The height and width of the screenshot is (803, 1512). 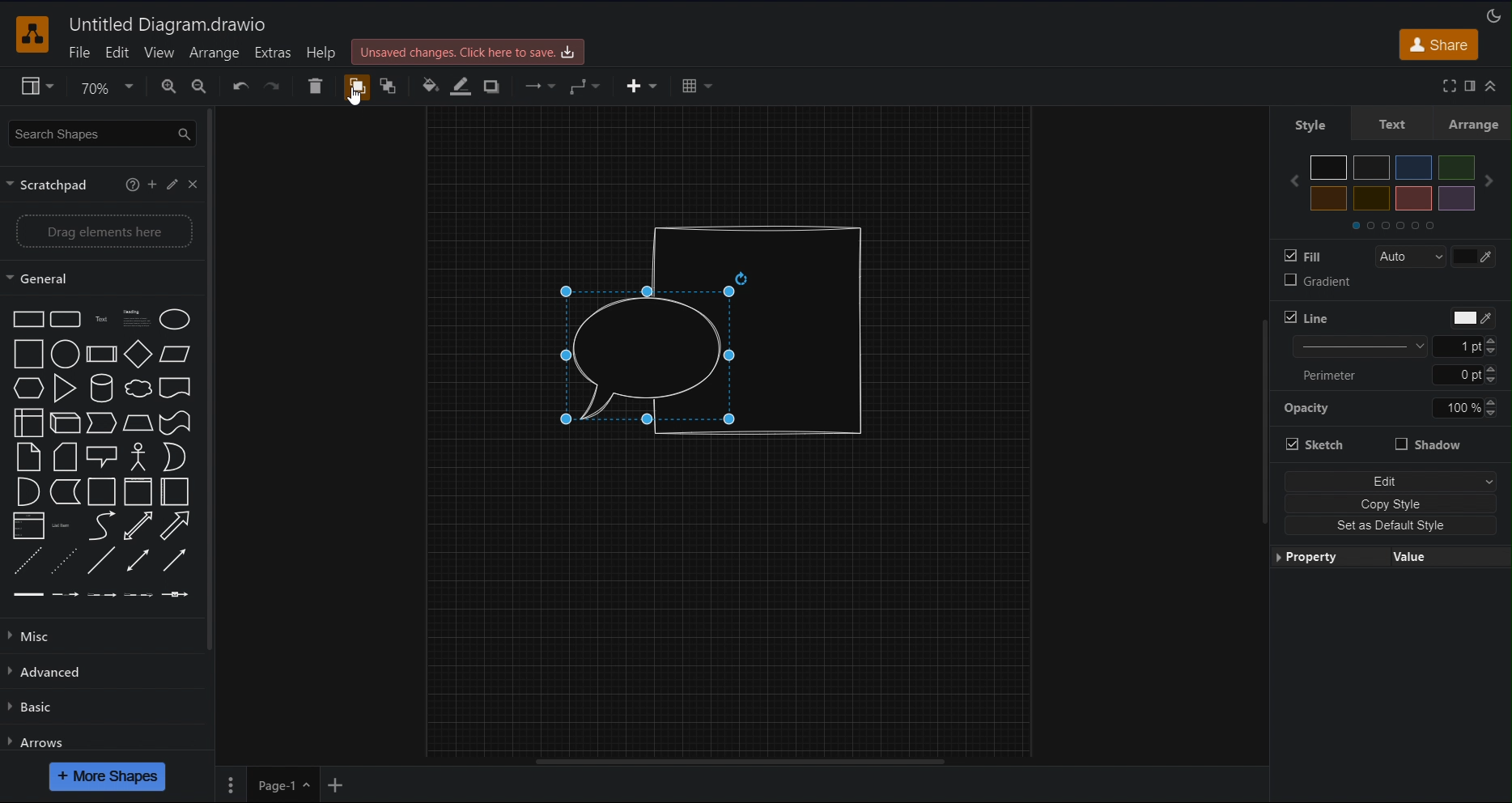 What do you see at coordinates (1318, 280) in the screenshot?
I see `Gradient` at bounding box center [1318, 280].